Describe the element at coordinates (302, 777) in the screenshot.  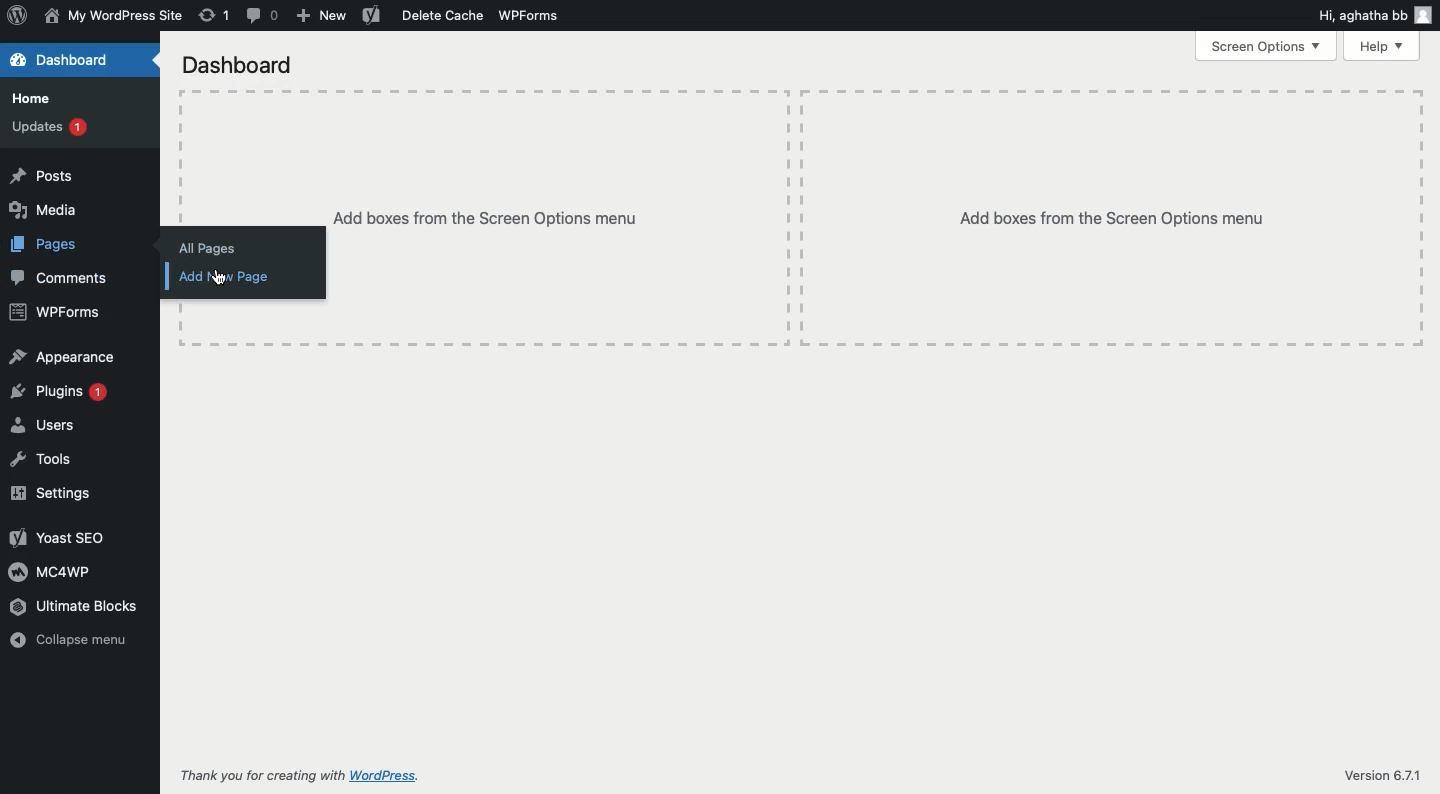
I see `Thank you for creating with WordPress` at that location.